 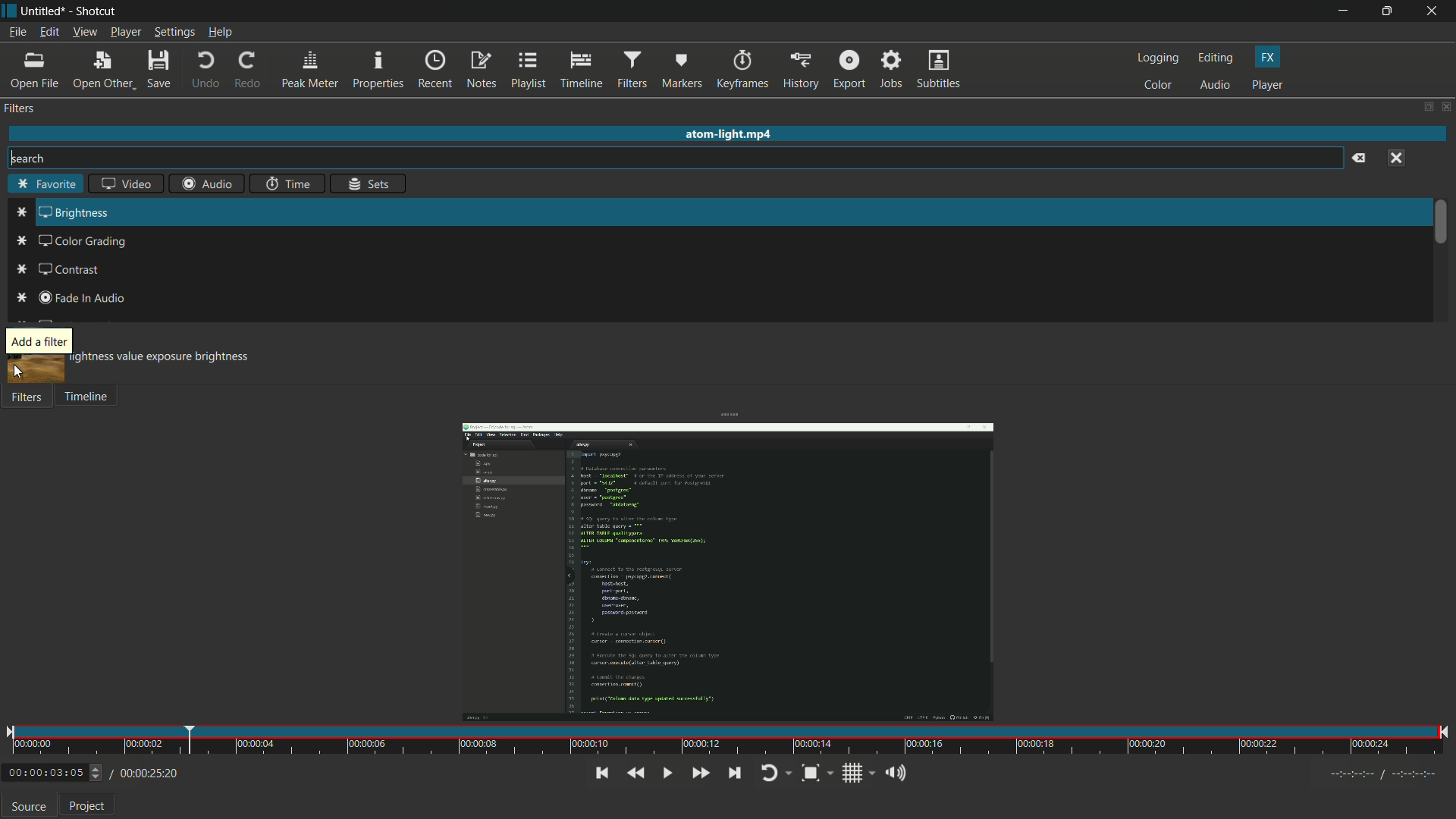 What do you see at coordinates (86, 398) in the screenshot?
I see `timeline` at bounding box center [86, 398].